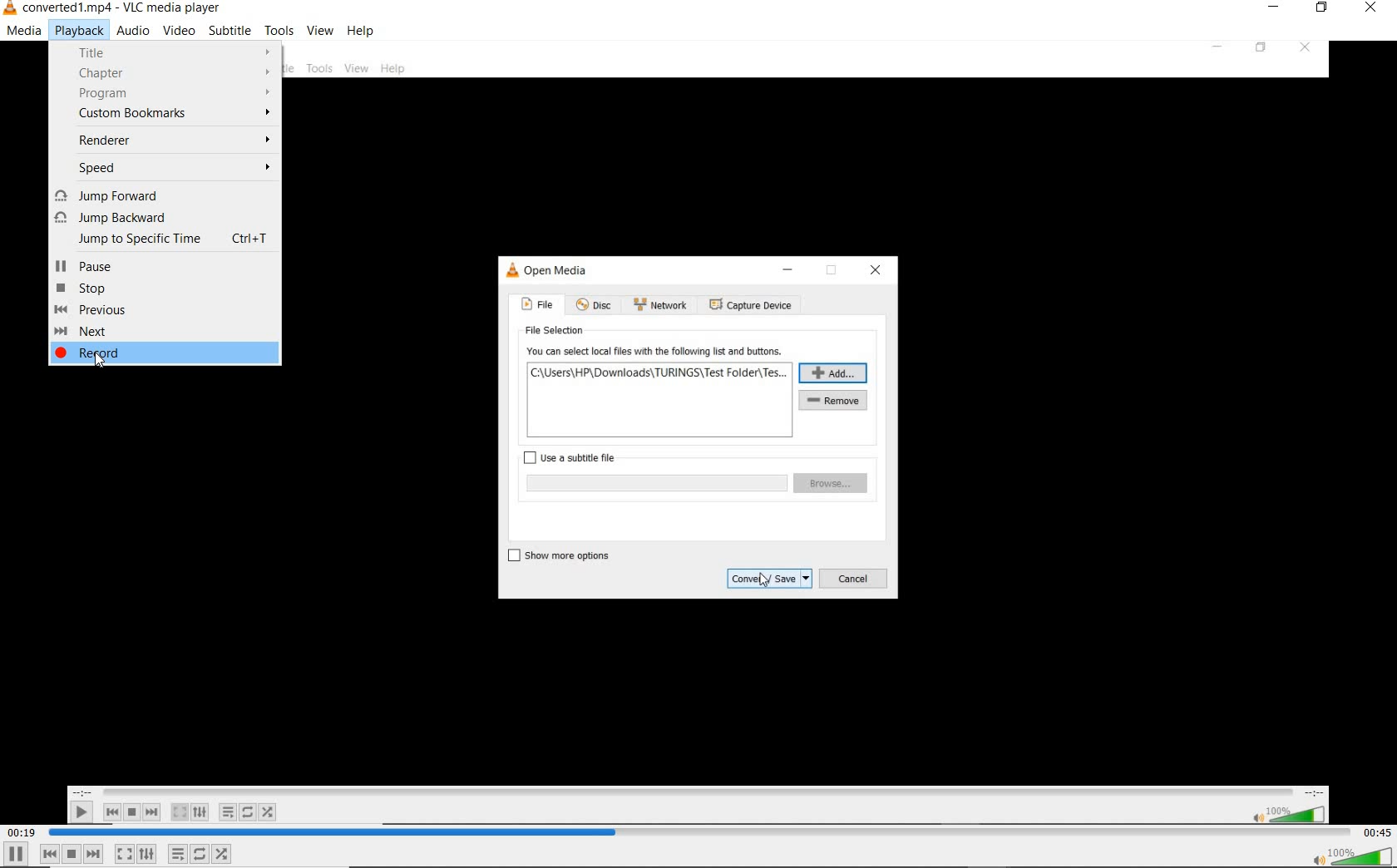 This screenshot has height=868, width=1397. What do you see at coordinates (178, 853) in the screenshot?
I see `toggle playlist` at bounding box center [178, 853].